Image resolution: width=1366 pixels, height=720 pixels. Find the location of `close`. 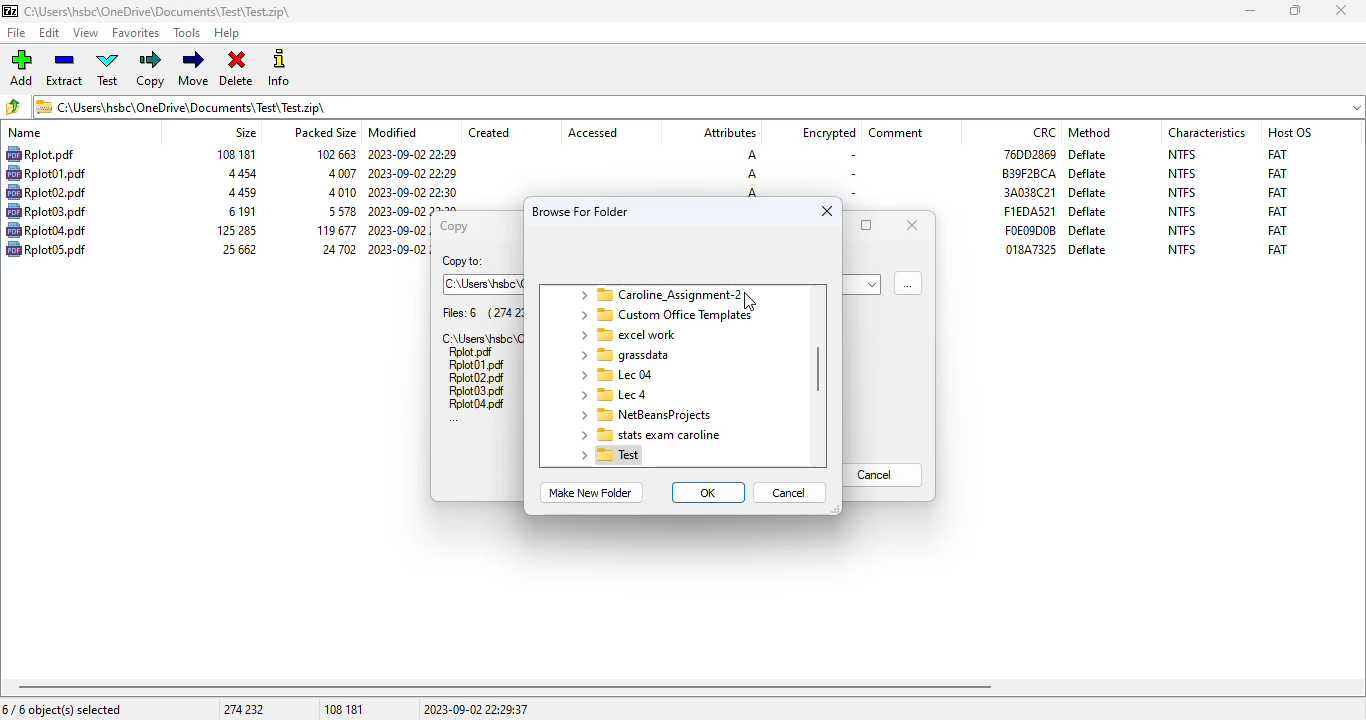

close is located at coordinates (1340, 10).